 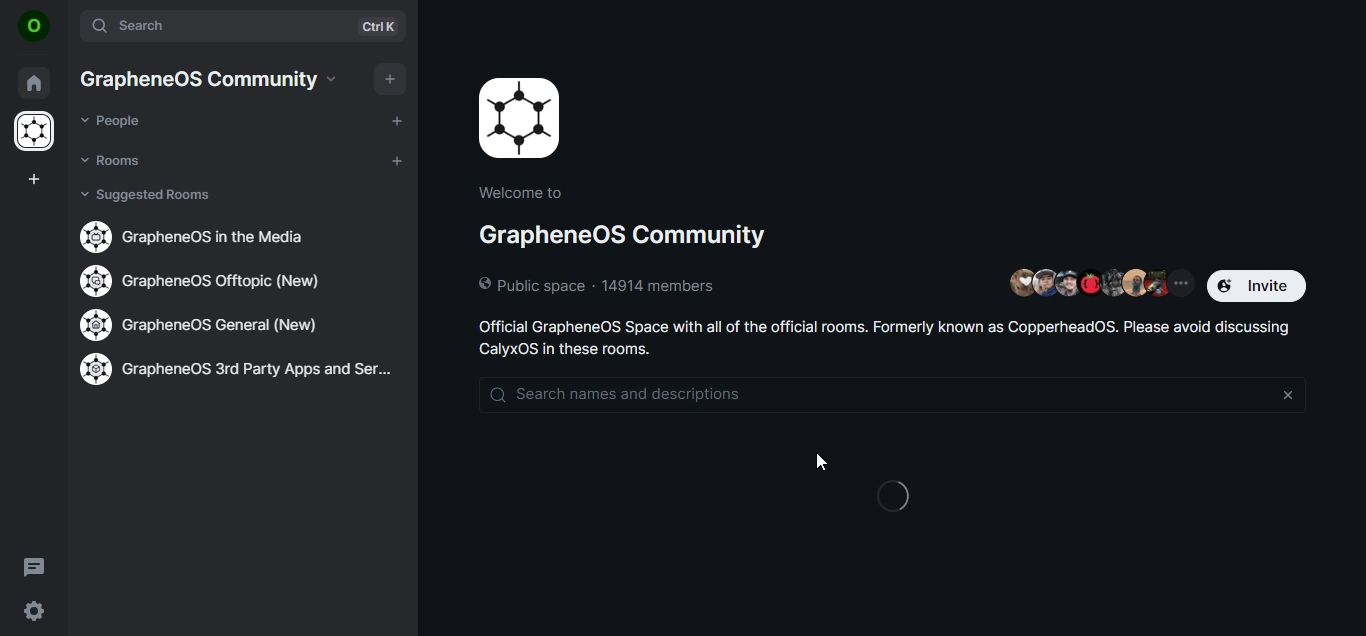 I want to click on home, so click(x=35, y=83).